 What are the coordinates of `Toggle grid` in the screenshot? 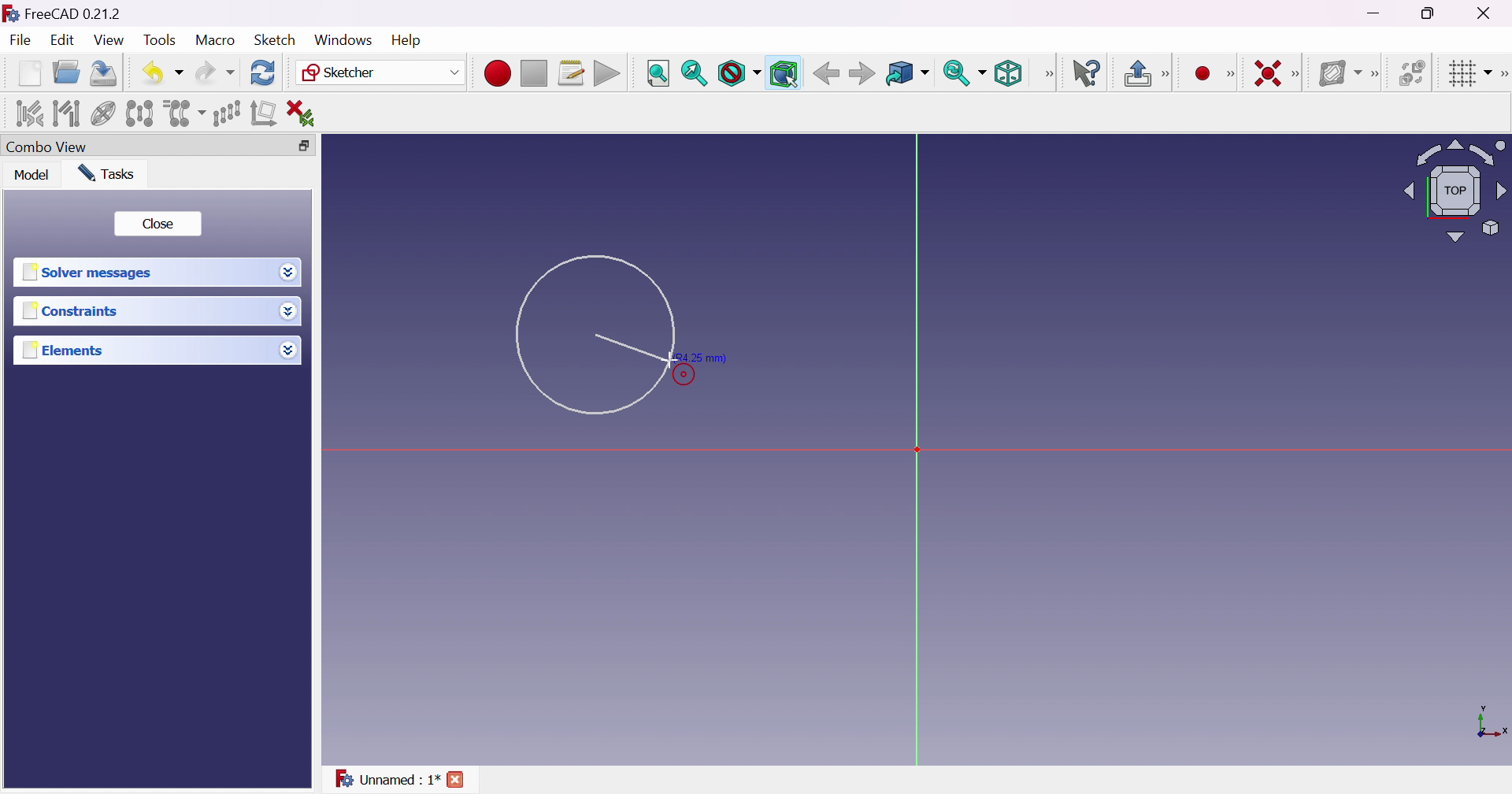 It's located at (1469, 74).